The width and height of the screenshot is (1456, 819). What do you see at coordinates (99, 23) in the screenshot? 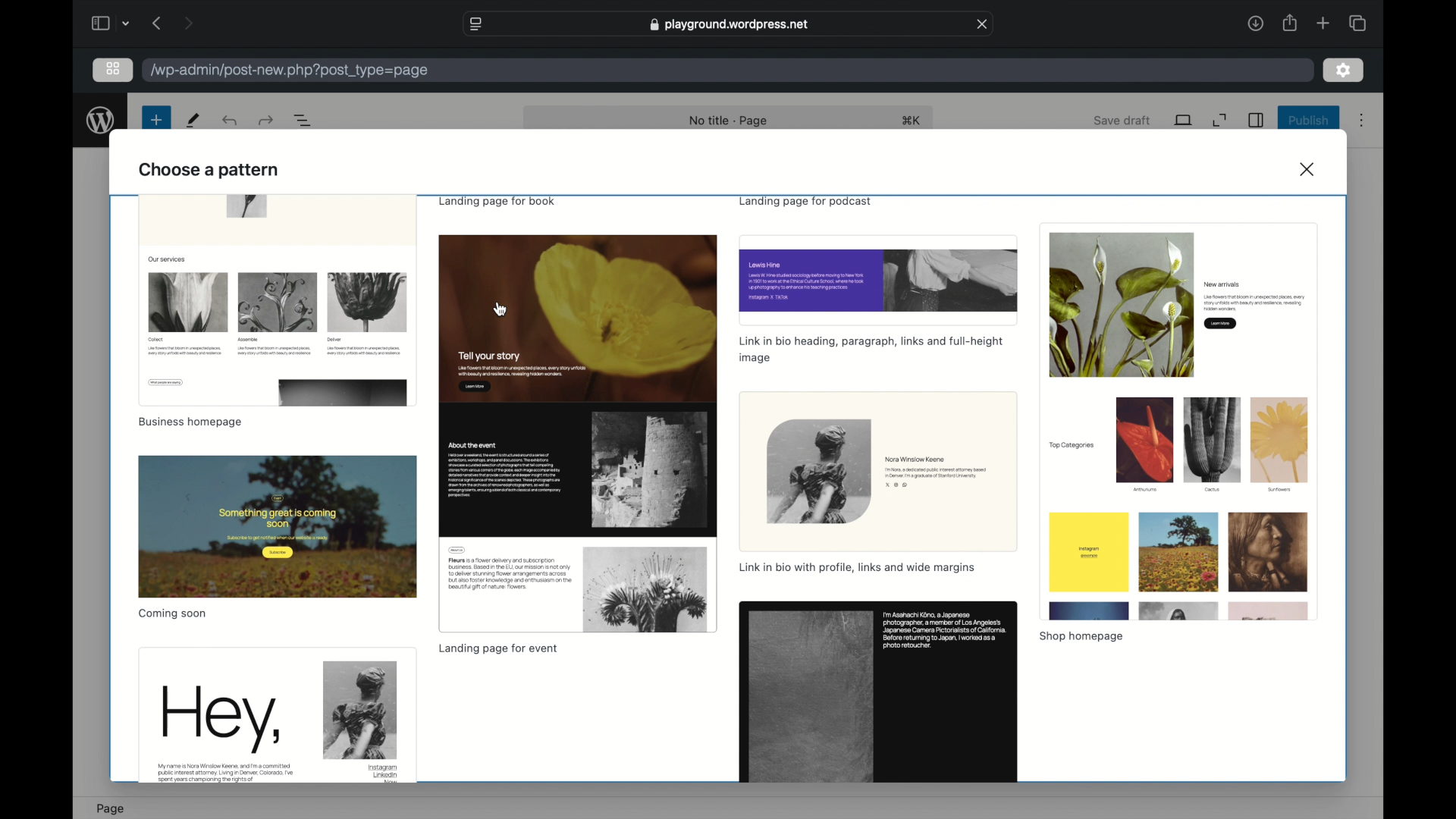
I see `sidebar` at bounding box center [99, 23].